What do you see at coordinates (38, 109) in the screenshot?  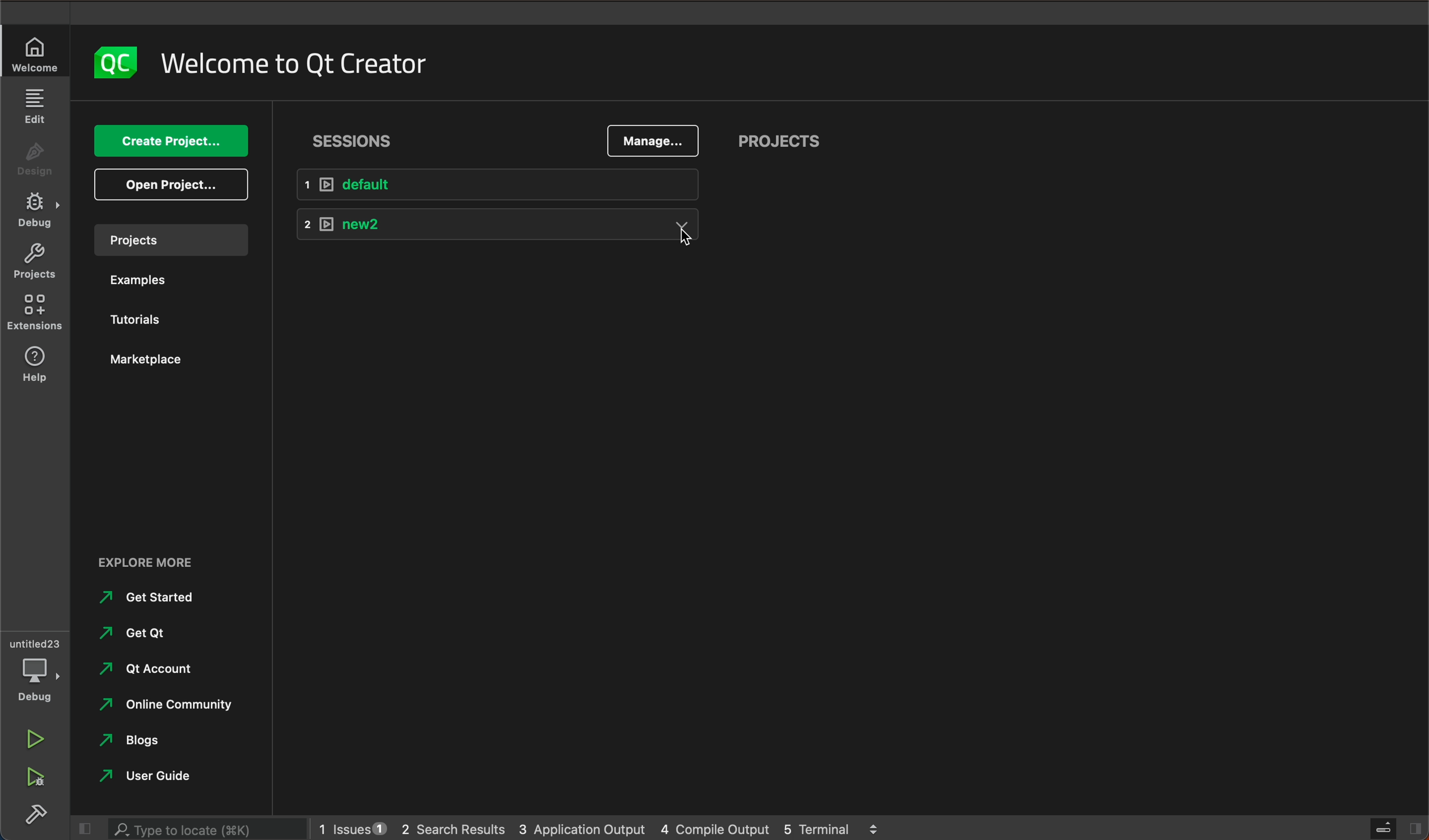 I see `edit` at bounding box center [38, 109].